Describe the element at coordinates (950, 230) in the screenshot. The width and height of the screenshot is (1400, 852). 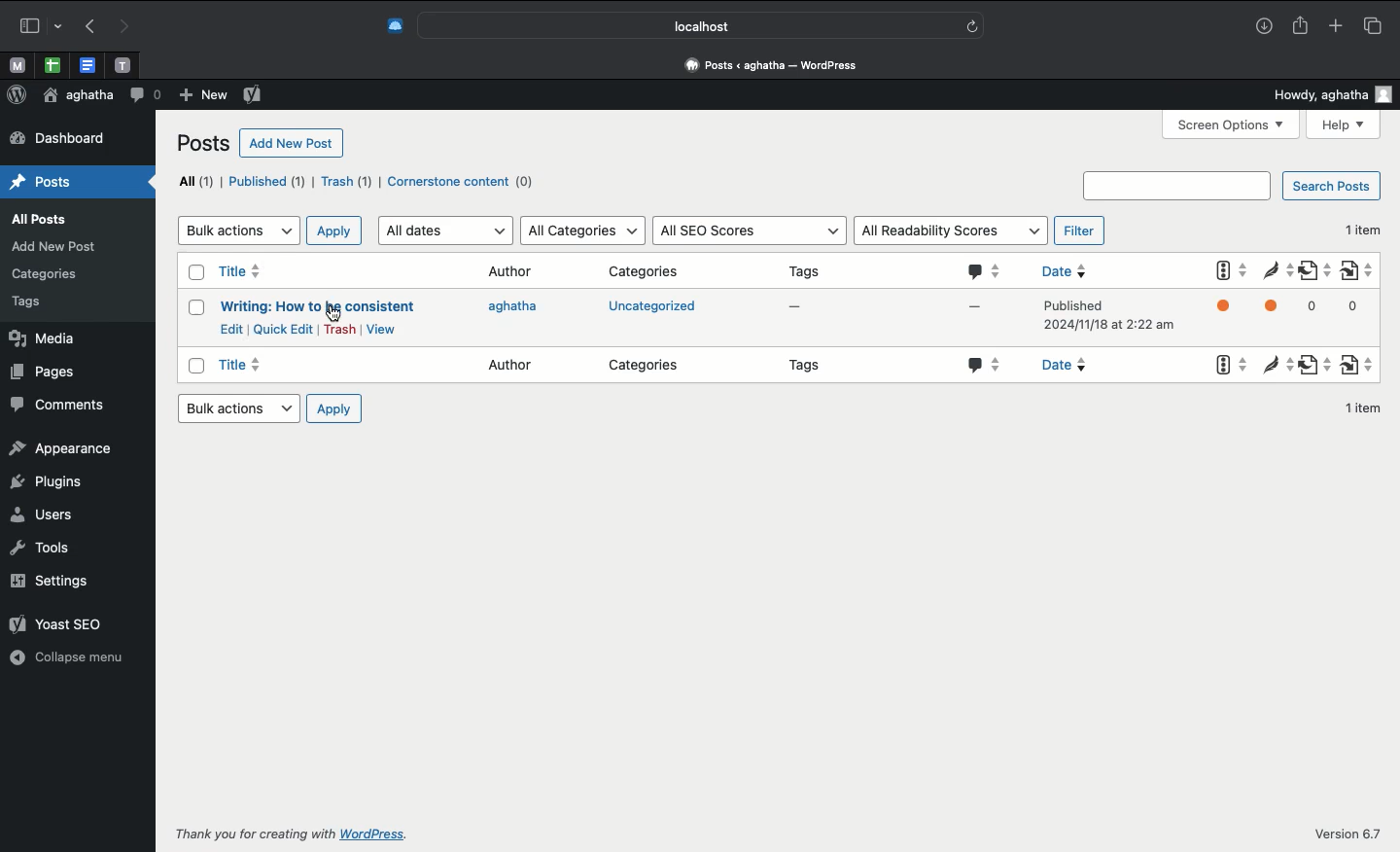
I see `All readability scores` at that location.